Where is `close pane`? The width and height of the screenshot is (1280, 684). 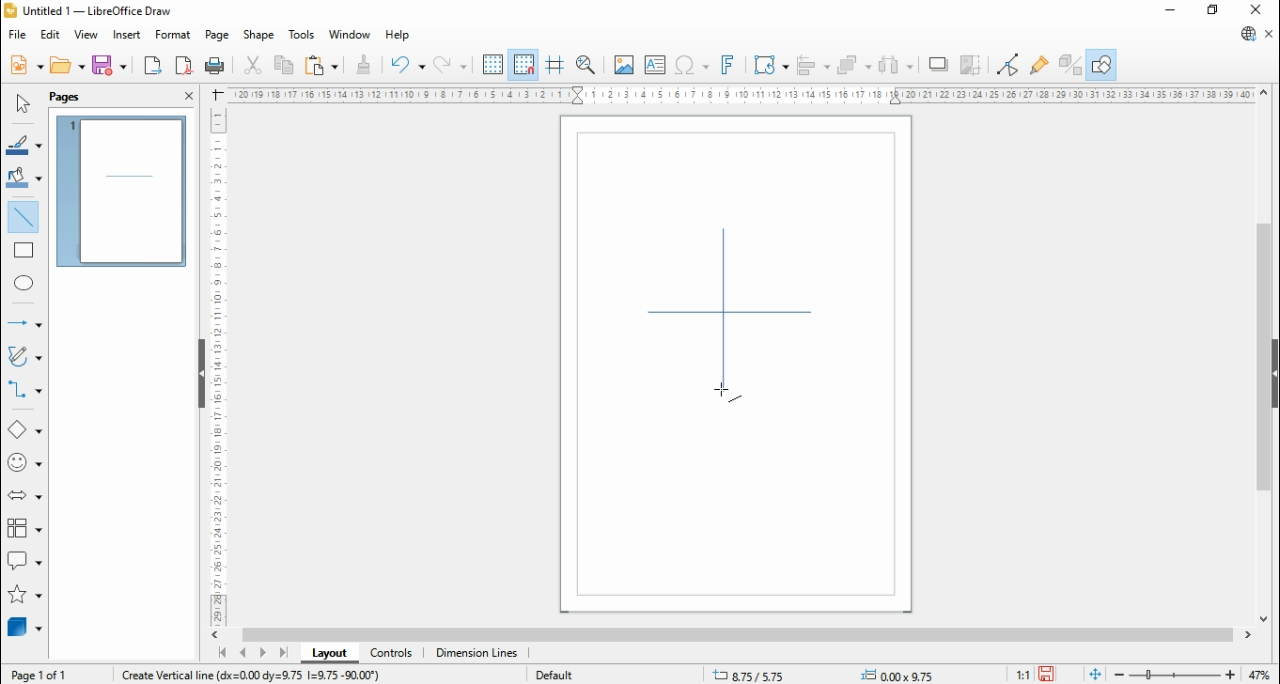 close pane is located at coordinates (188, 96).